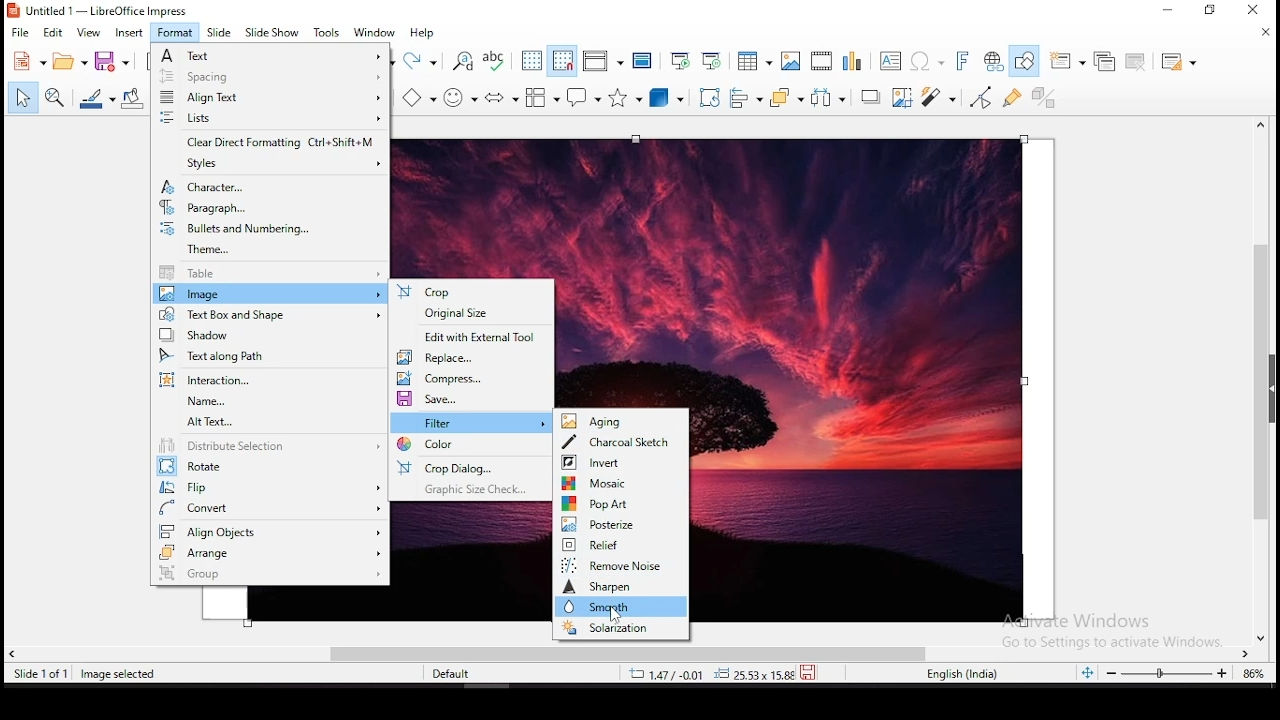 Image resolution: width=1280 pixels, height=720 pixels. Describe the element at coordinates (271, 486) in the screenshot. I see `flip` at that location.